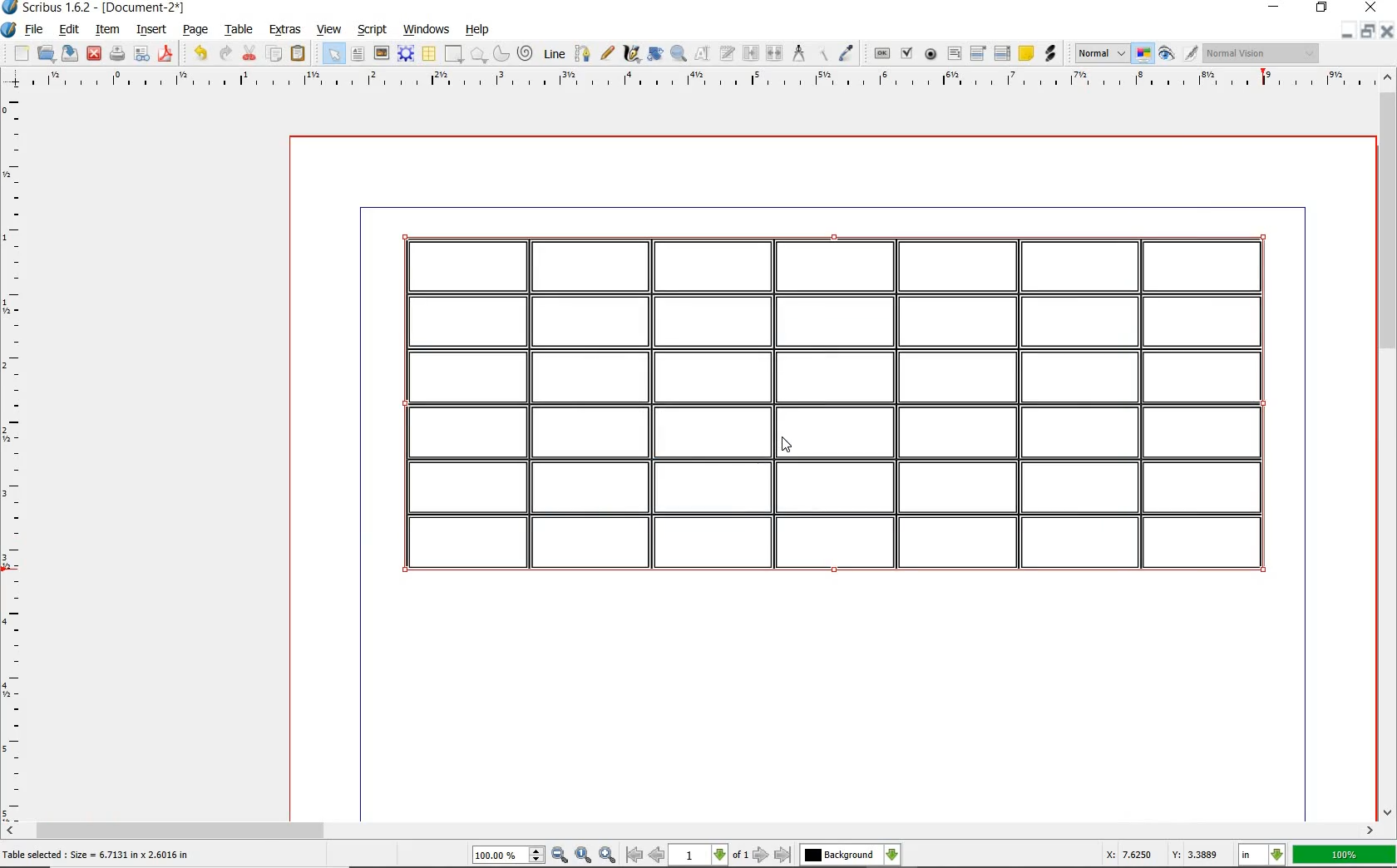  Describe the element at coordinates (677, 54) in the screenshot. I see `zoom in or out` at that location.